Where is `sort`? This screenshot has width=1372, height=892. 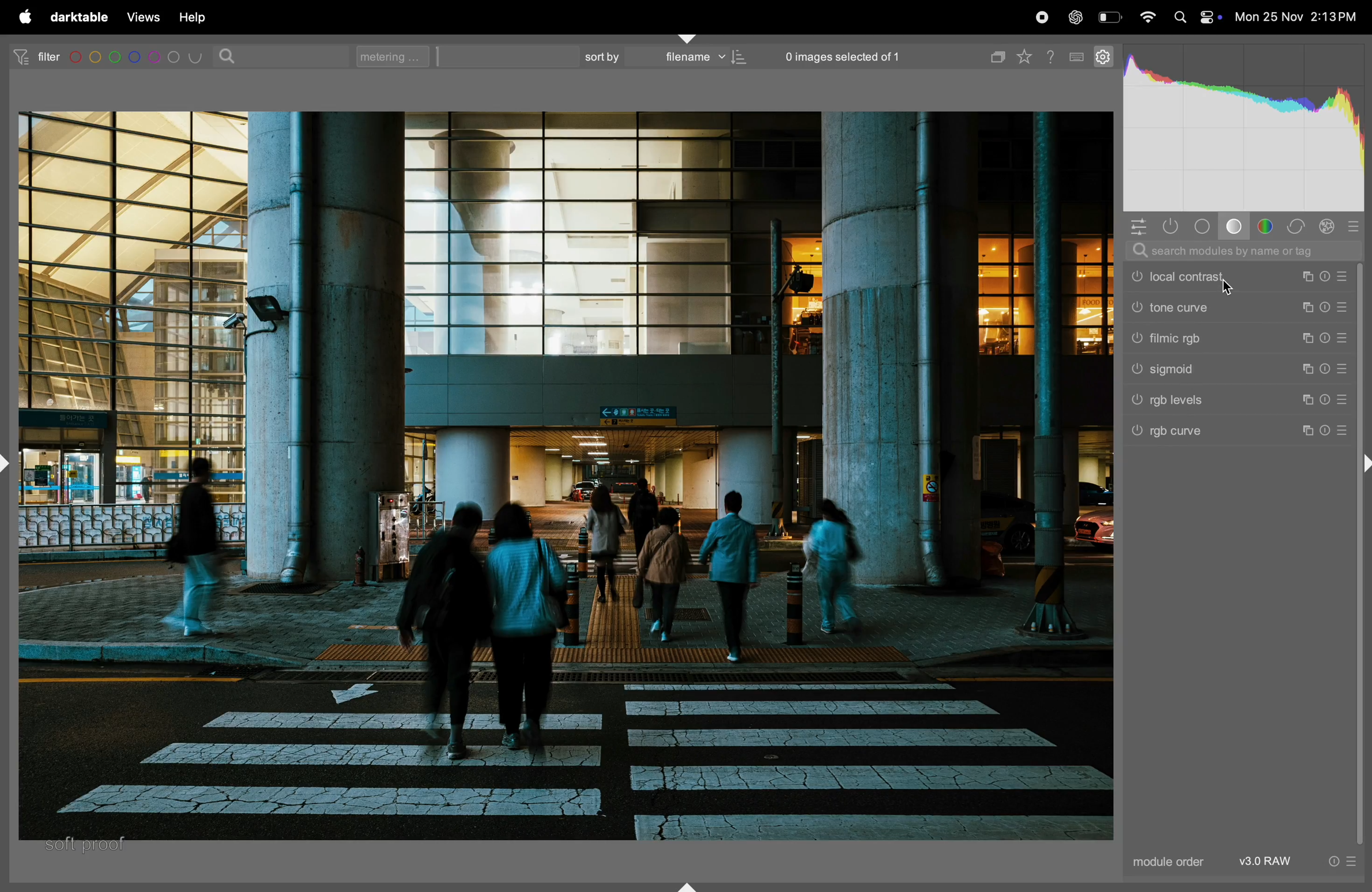
sort is located at coordinates (599, 56).